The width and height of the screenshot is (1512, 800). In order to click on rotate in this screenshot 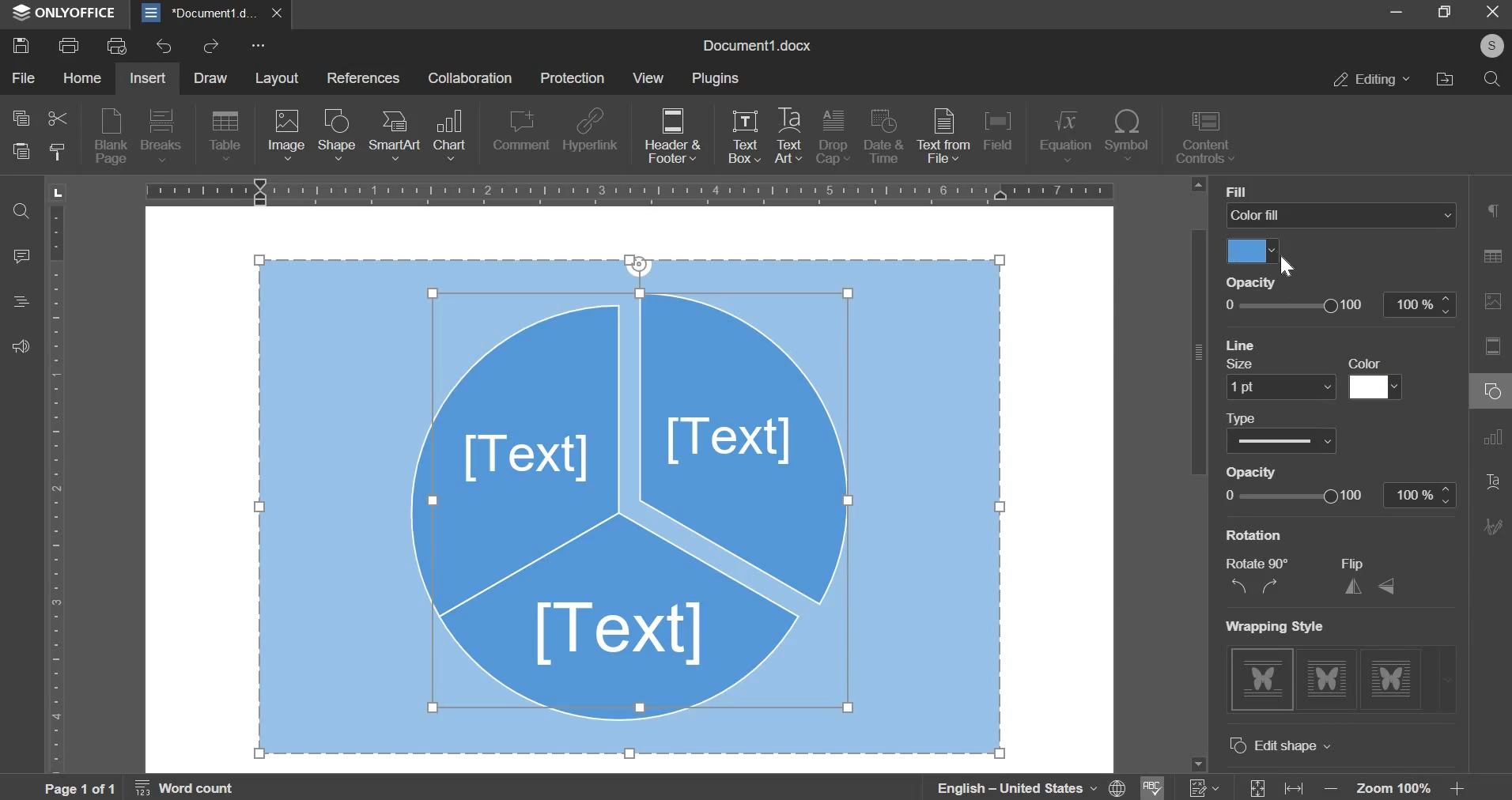, I will do `click(1253, 586)`.